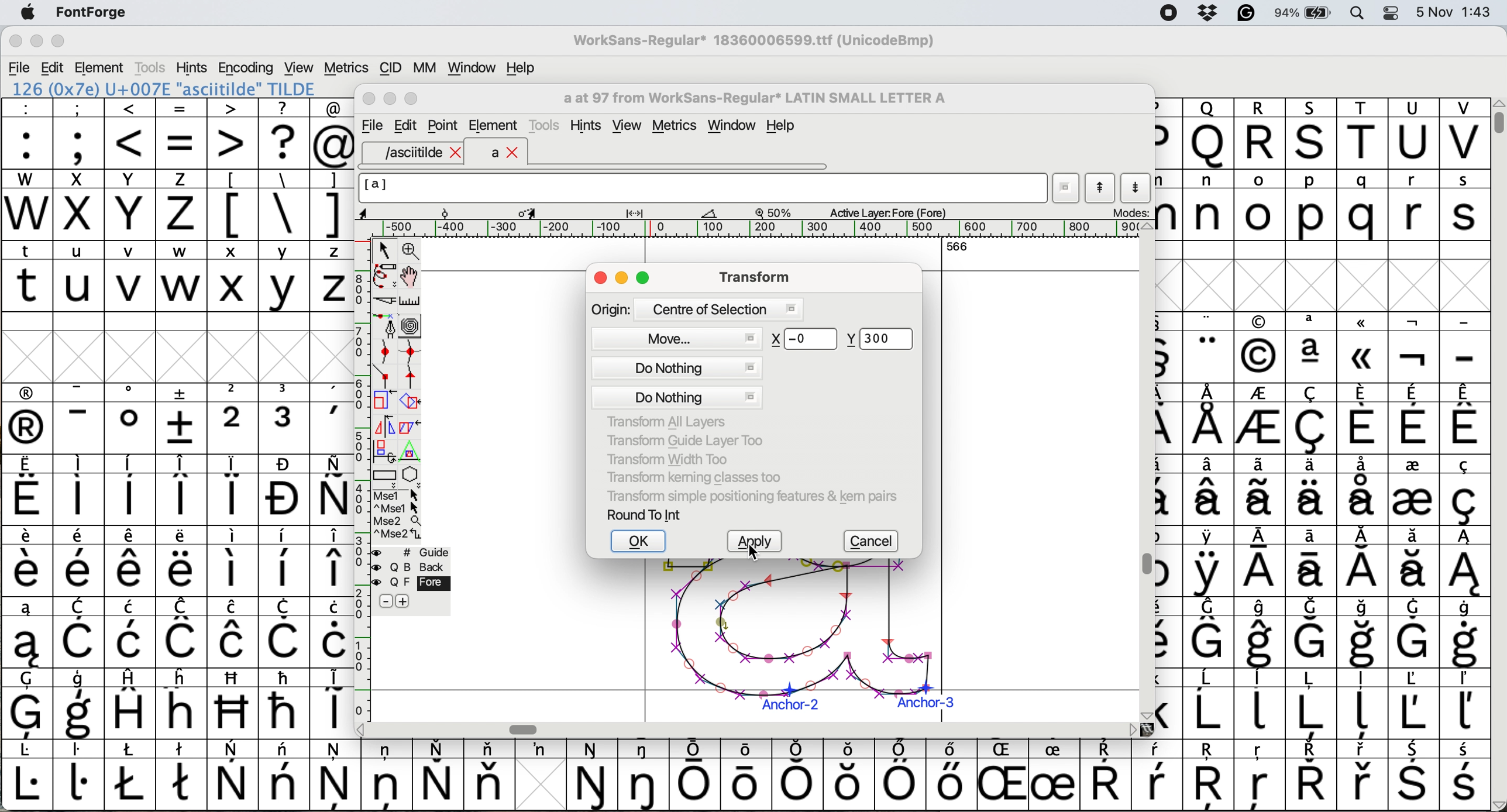 This screenshot has height=812, width=1507. I want to click on symbol, so click(183, 632).